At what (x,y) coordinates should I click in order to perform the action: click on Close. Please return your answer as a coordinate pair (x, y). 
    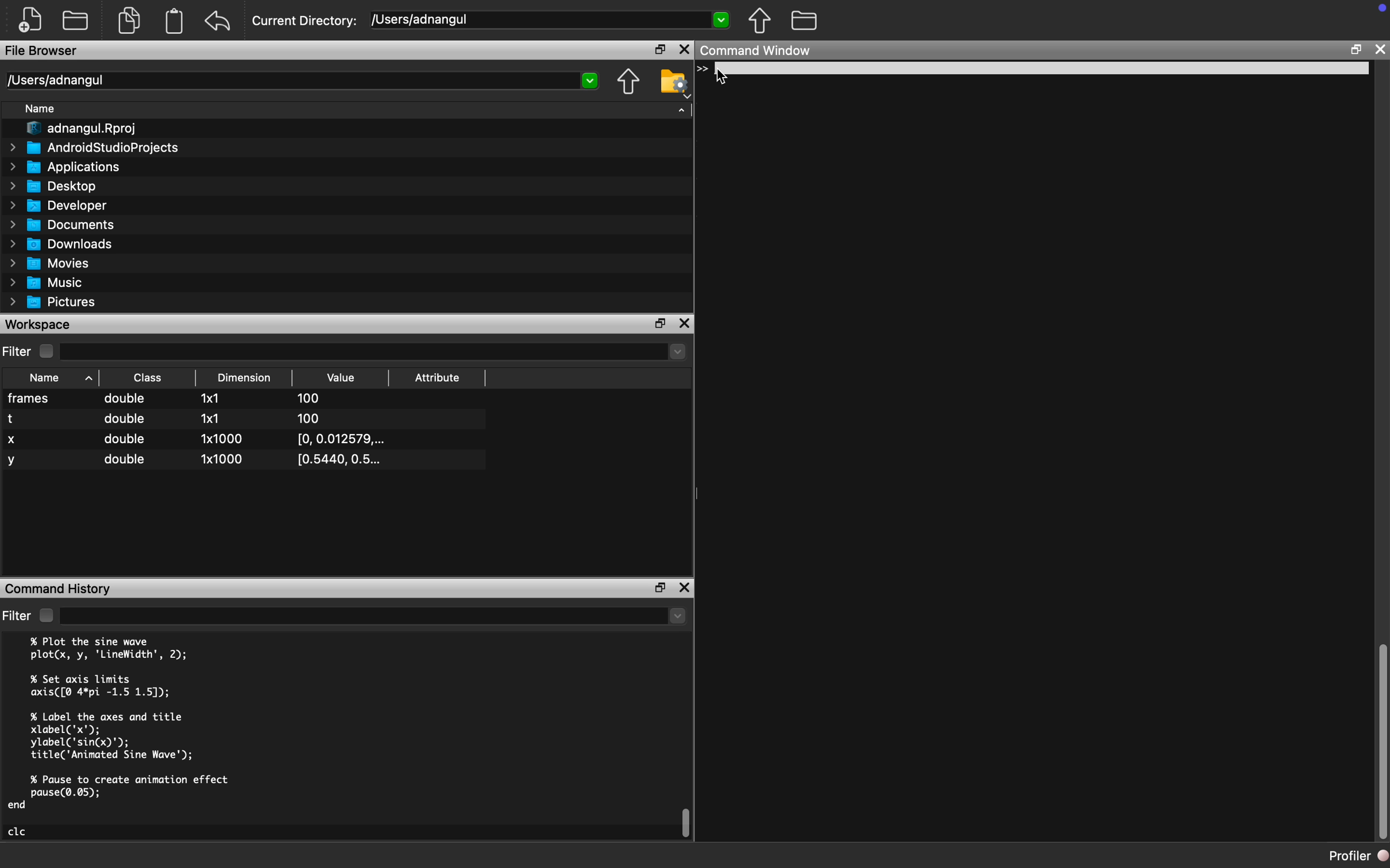
    Looking at the image, I should click on (1377, 51).